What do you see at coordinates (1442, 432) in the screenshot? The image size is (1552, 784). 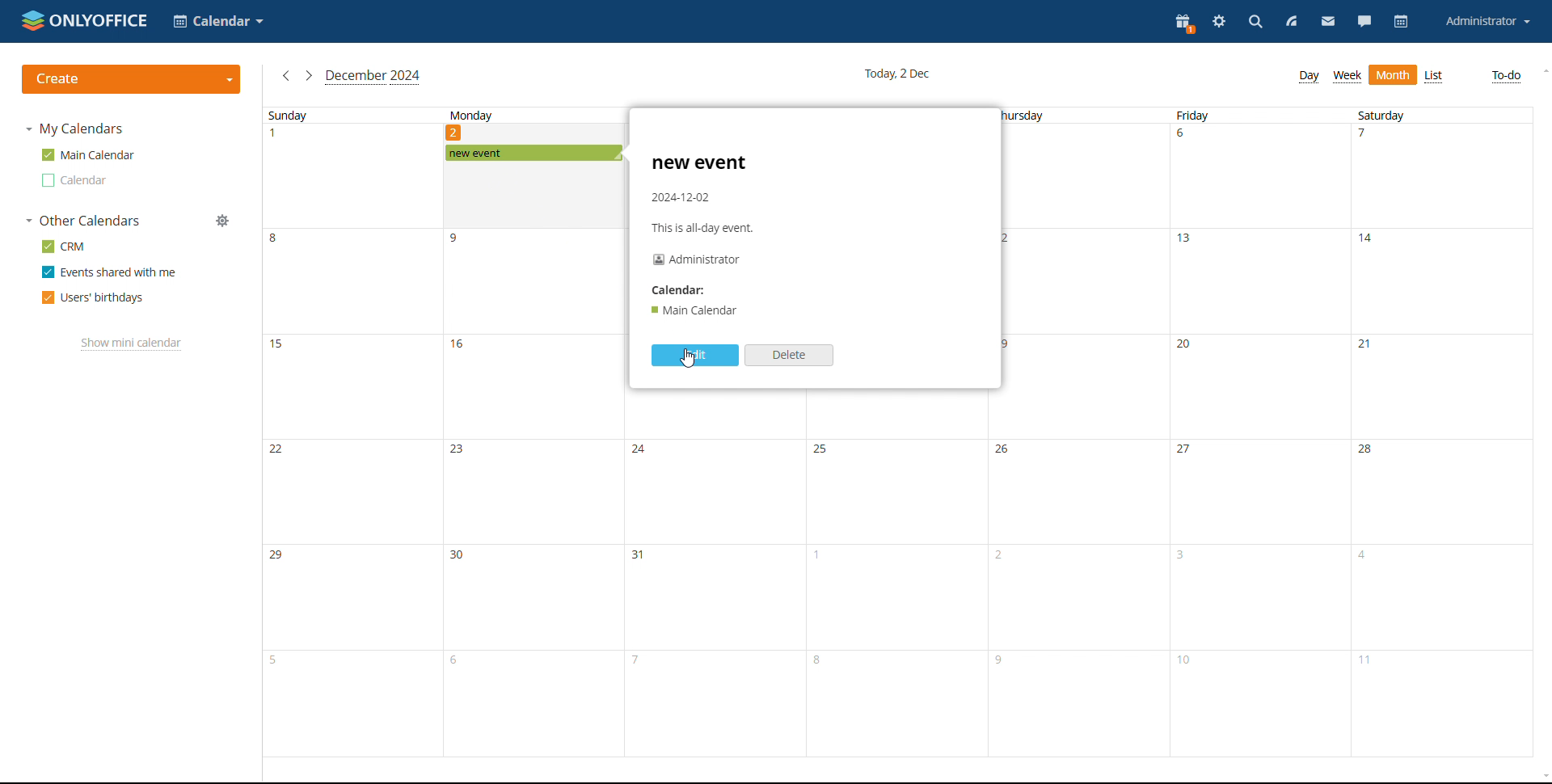 I see `saturday` at bounding box center [1442, 432].